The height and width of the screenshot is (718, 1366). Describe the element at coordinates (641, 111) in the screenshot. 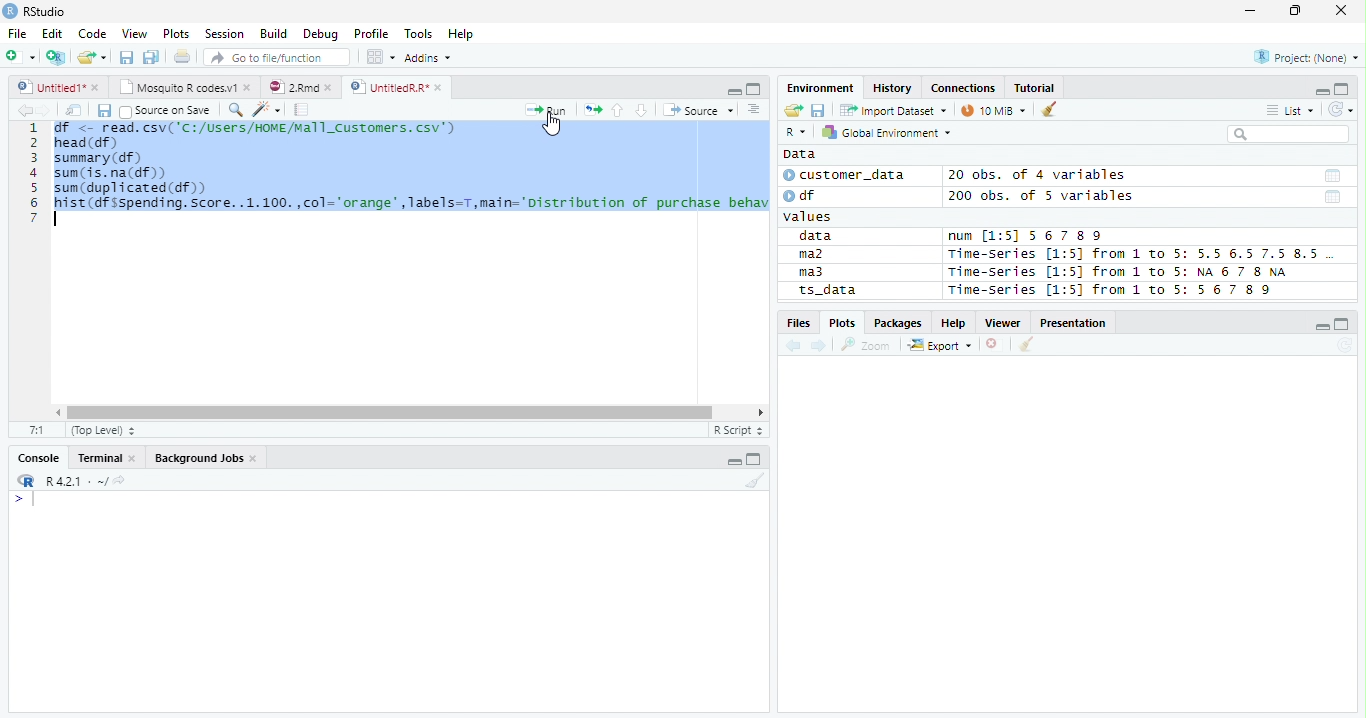

I see `Down` at that location.